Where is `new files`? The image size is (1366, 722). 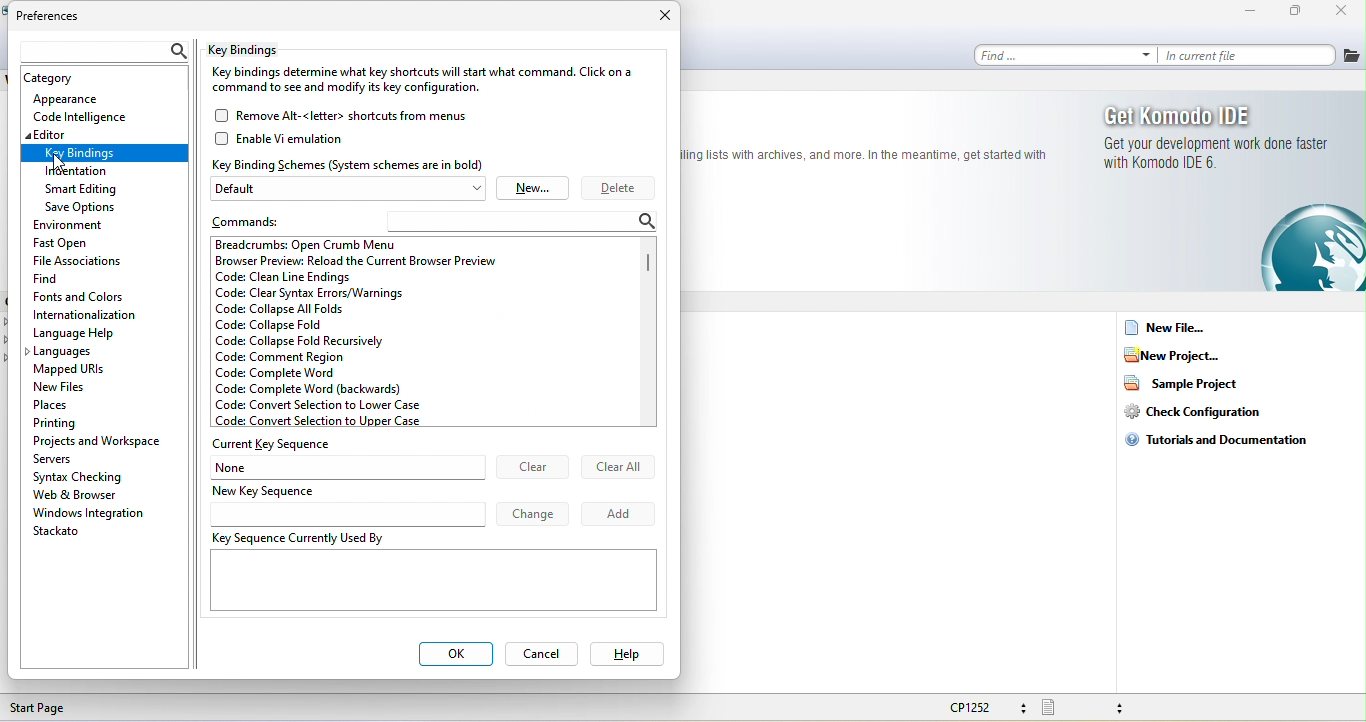
new files is located at coordinates (68, 386).